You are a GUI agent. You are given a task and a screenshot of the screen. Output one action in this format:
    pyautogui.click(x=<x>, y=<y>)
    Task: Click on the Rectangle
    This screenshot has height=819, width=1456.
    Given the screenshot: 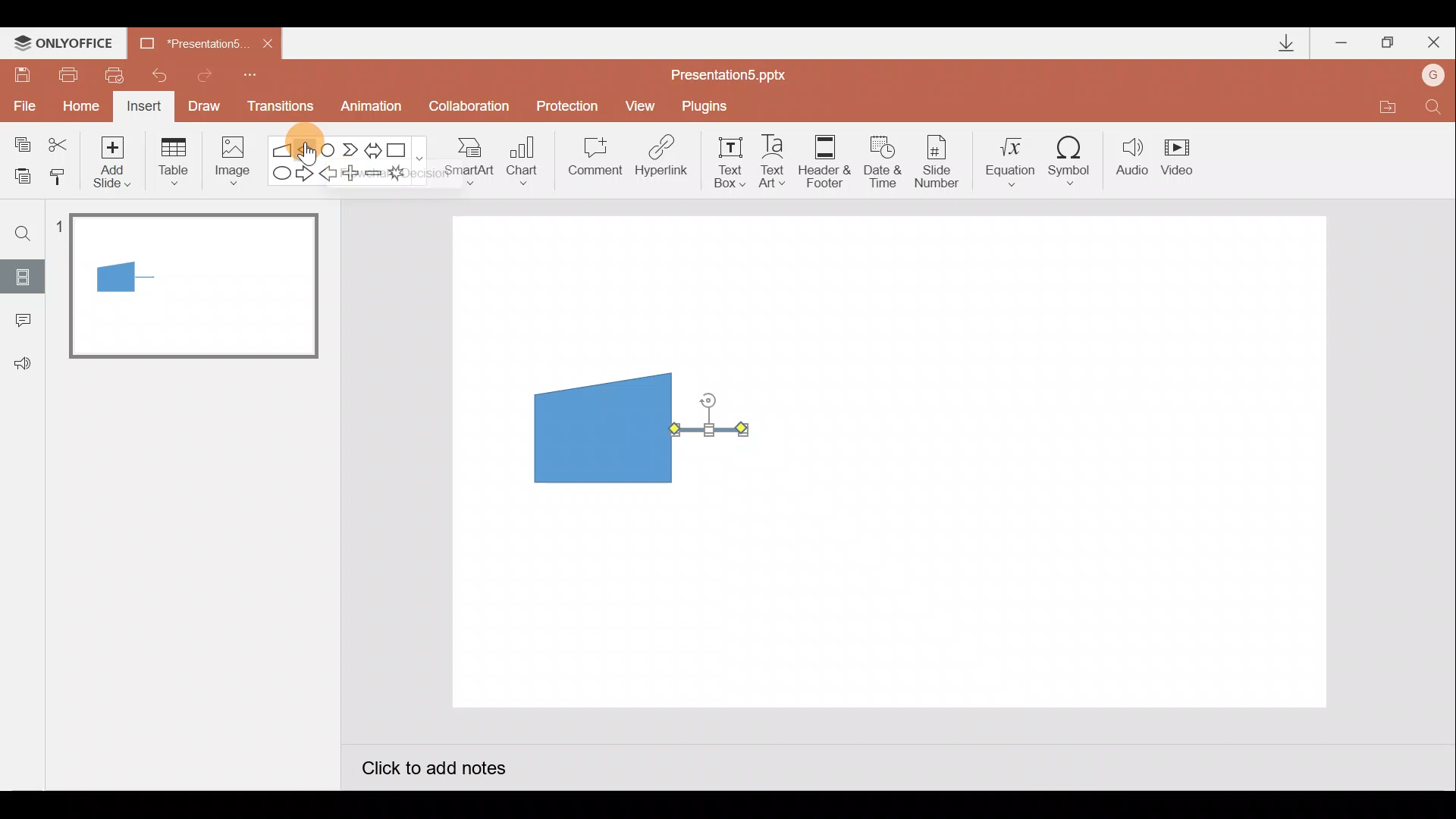 What is the action you would take?
    pyautogui.click(x=400, y=149)
    